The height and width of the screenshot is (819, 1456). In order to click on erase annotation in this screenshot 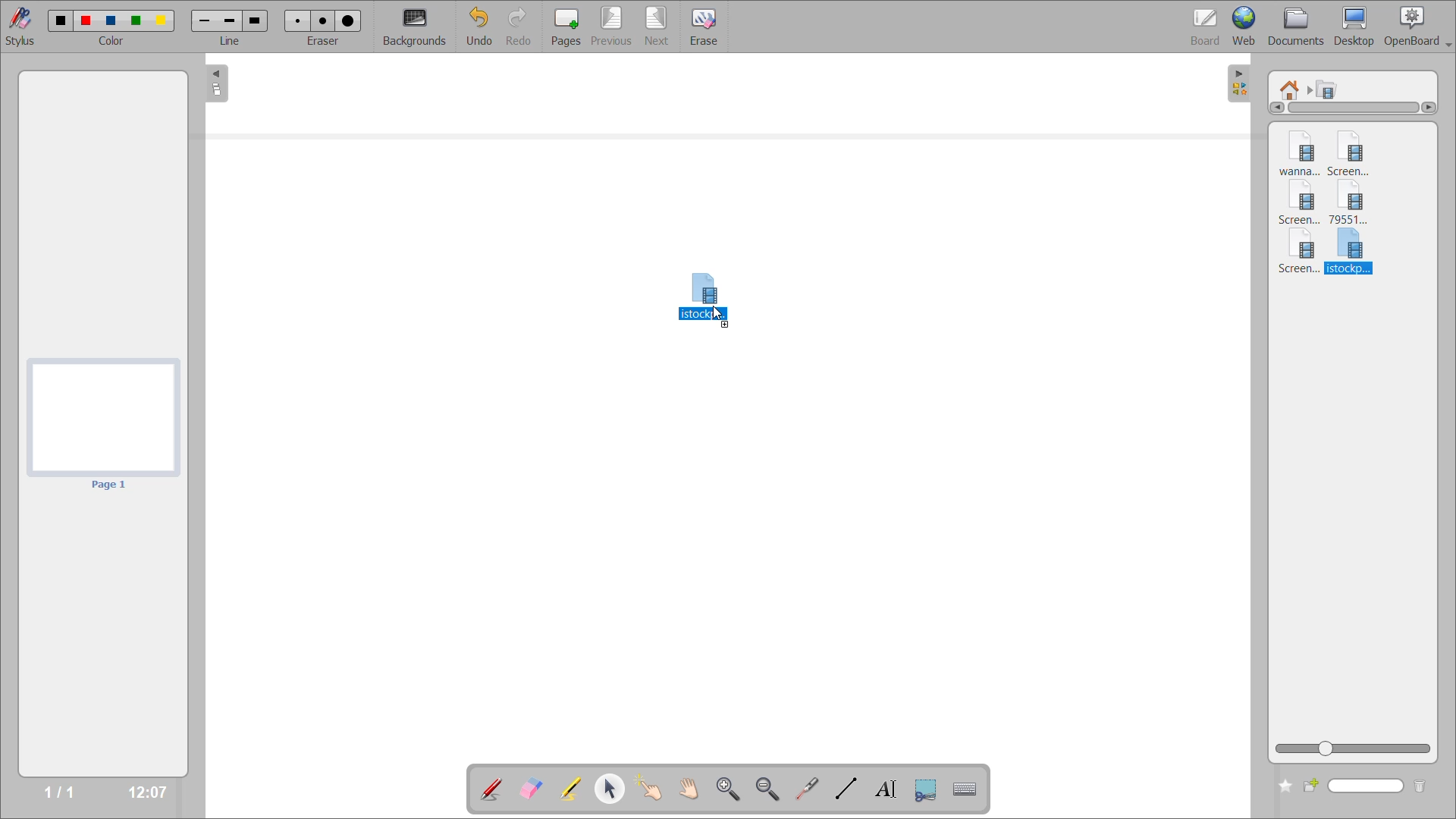, I will do `click(529, 787)`.